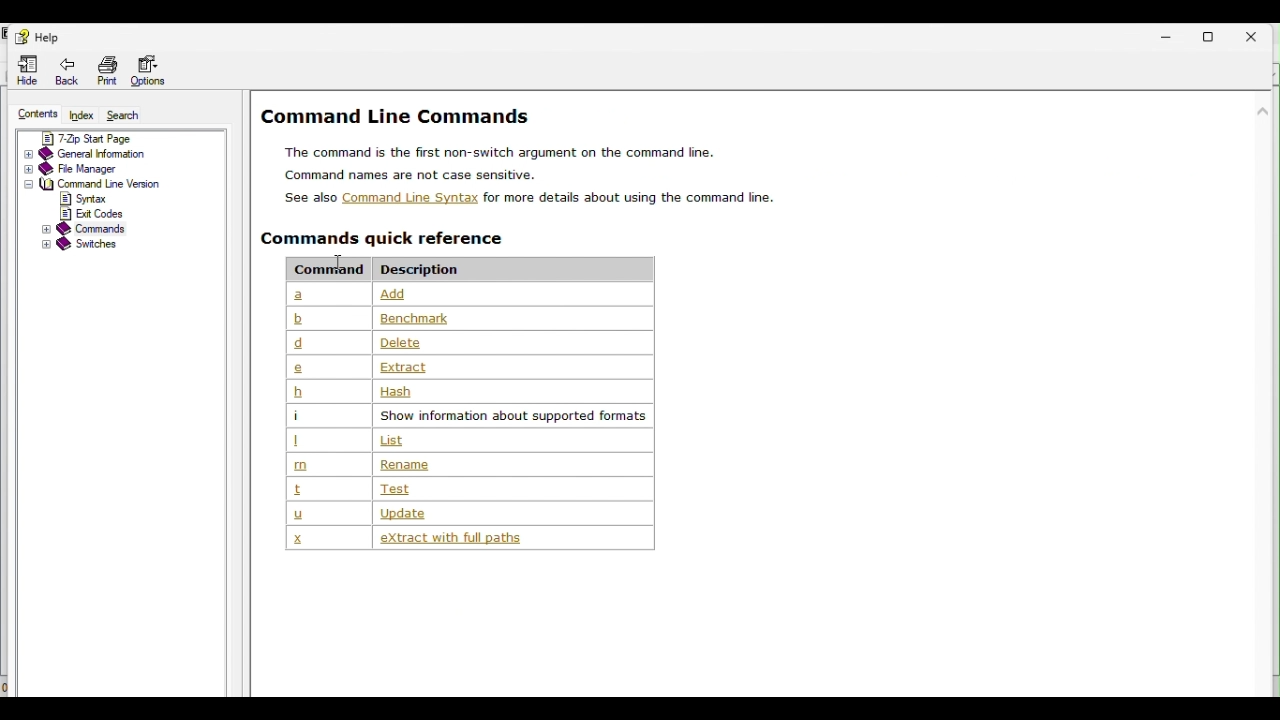 The width and height of the screenshot is (1280, 720). Describe the element at coordinates (1217, 34) in the screenshot. I see `Restore` at that location.